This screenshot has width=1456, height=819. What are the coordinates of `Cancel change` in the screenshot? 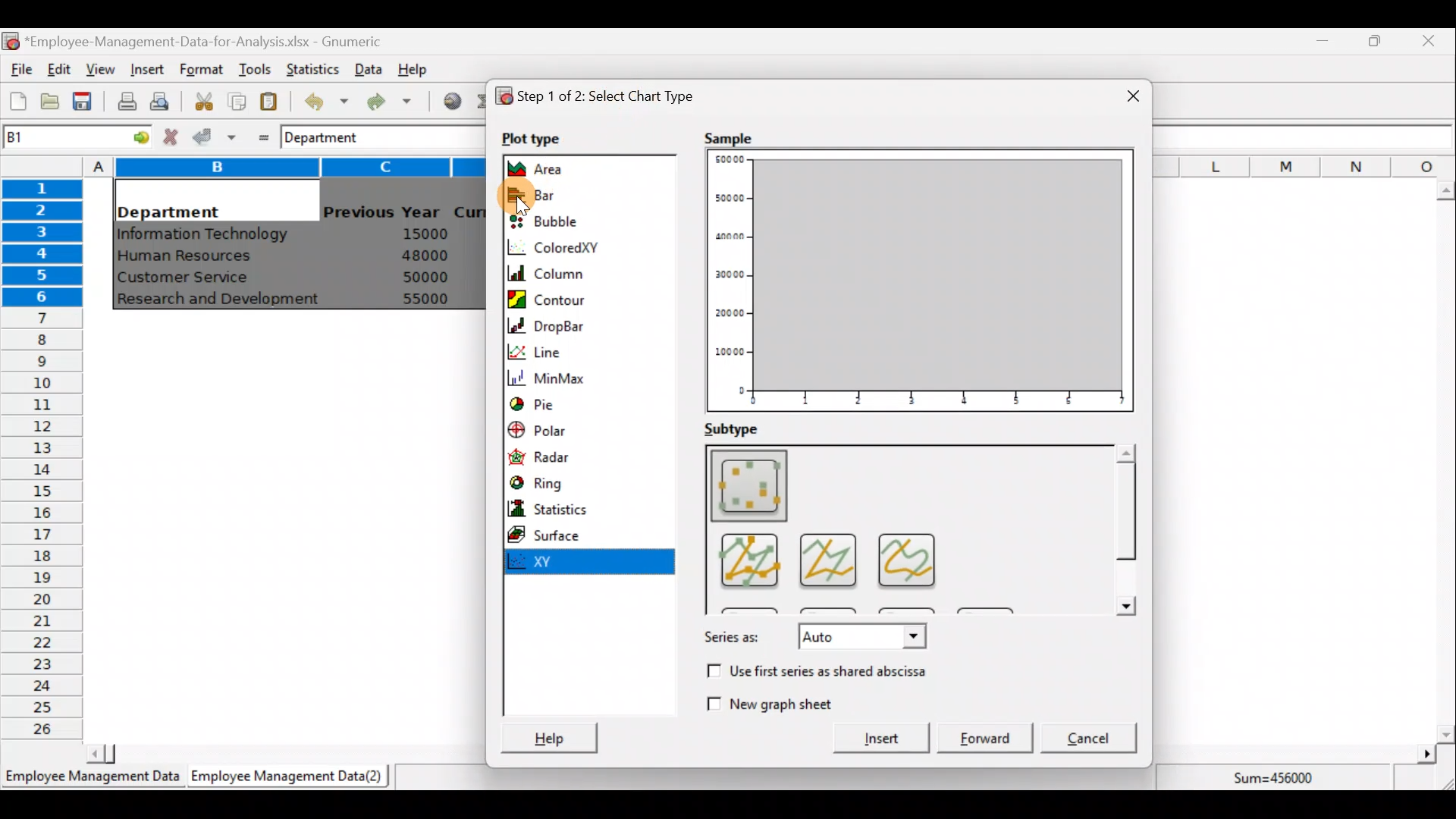 It's located at (173, 136).